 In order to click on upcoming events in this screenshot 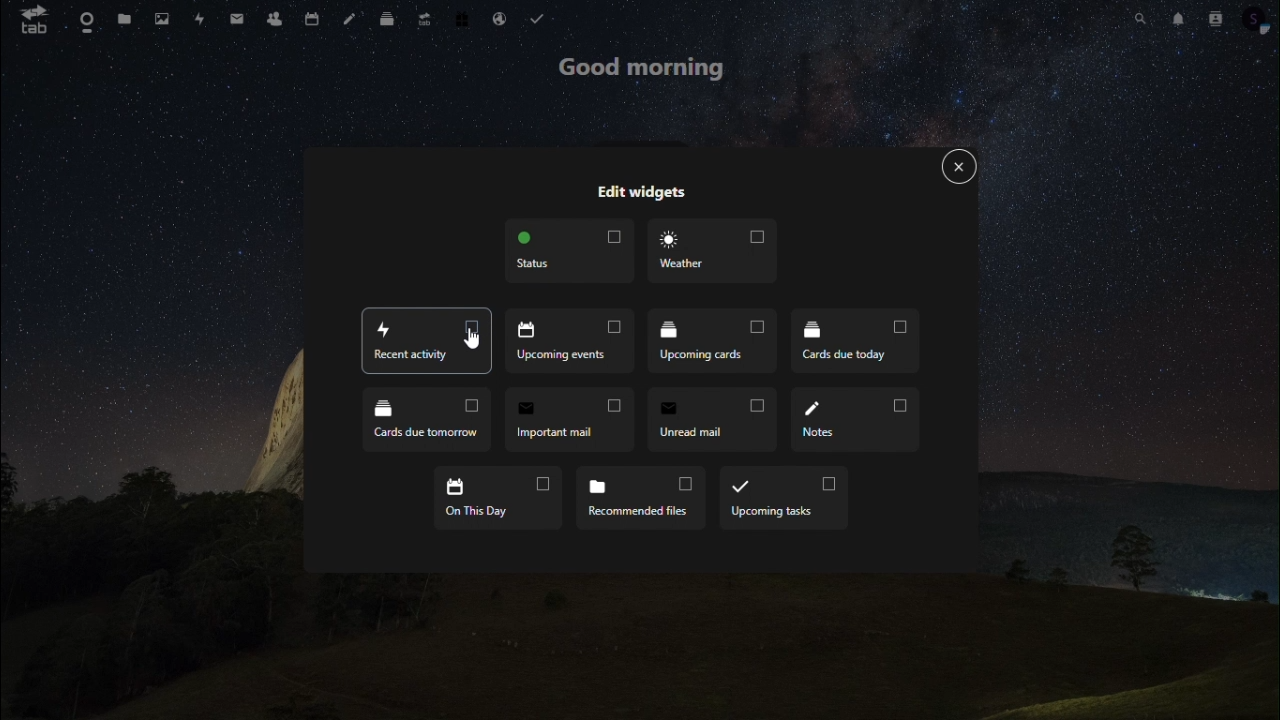, I will do `click(568, 340)`.